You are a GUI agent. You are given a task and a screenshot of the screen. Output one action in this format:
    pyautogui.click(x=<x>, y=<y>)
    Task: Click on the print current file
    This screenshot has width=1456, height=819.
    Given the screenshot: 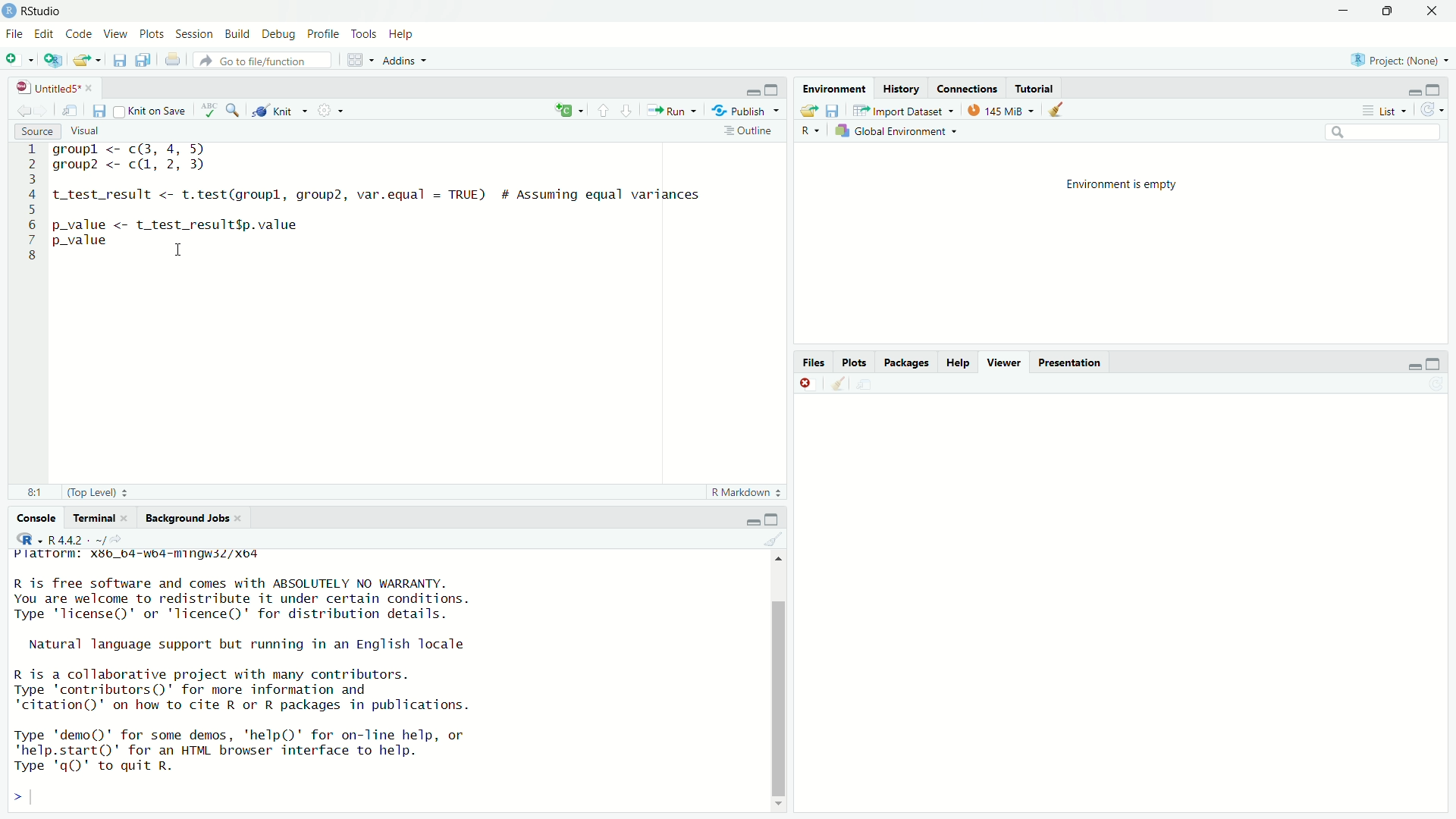 What is the action you would take?
    pyautogui.click(x=171, y=60)
    